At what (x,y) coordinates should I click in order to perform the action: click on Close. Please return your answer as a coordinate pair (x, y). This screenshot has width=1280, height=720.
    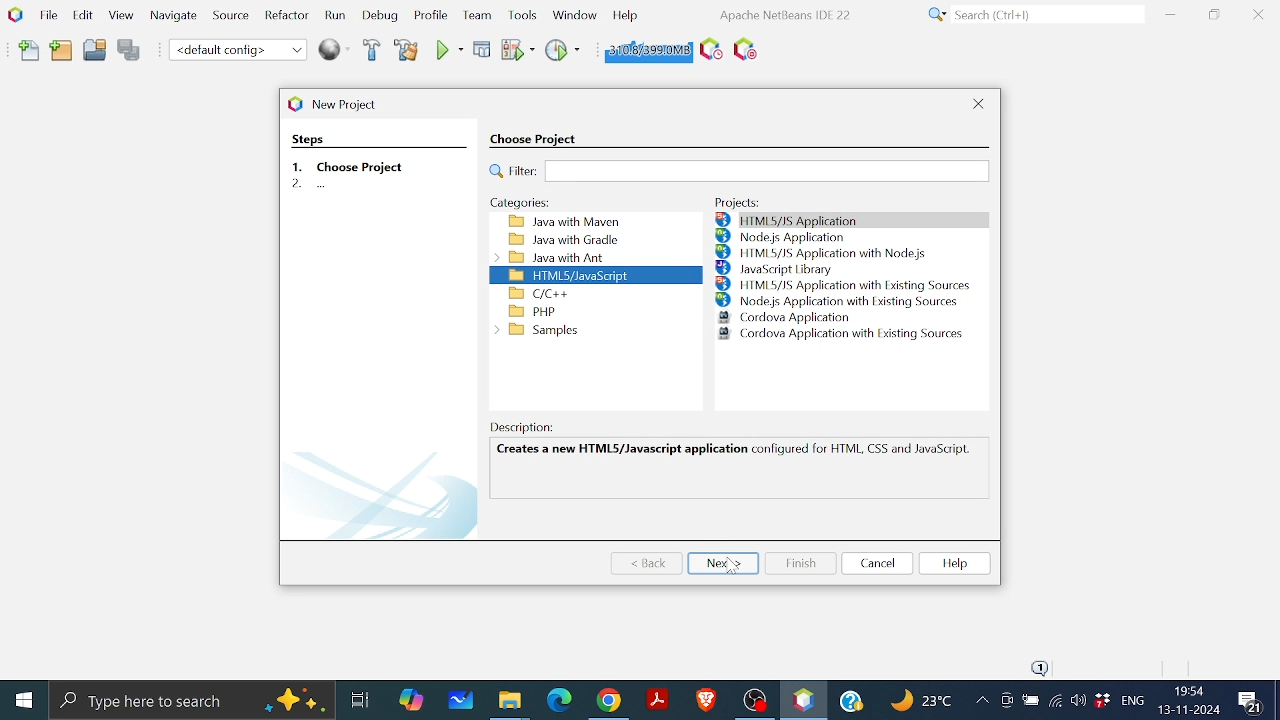
    Looking at the image, I should click on (980, 103).